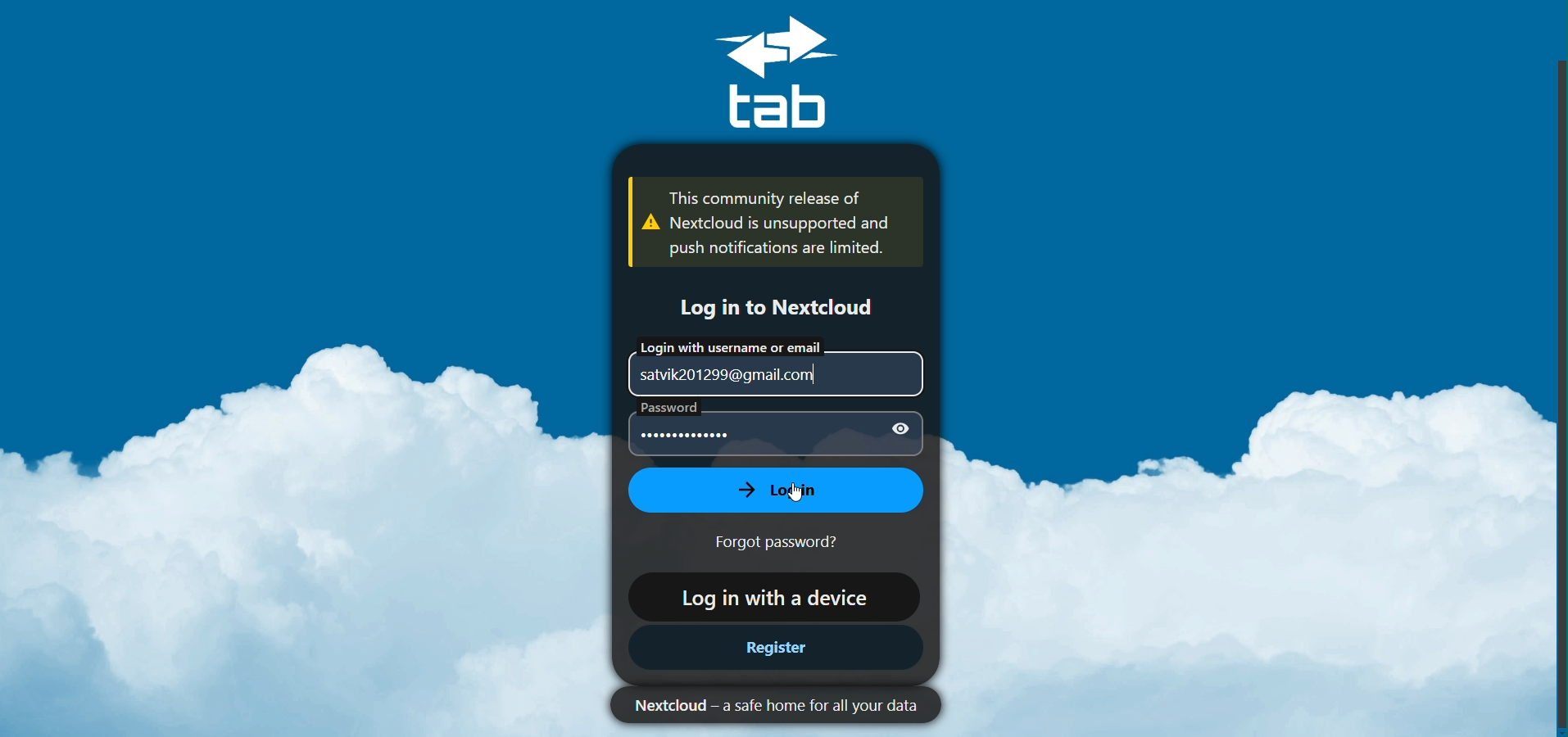 The image size is (1568, 737). I want to click on Mouse pointer, so click(802, 491).